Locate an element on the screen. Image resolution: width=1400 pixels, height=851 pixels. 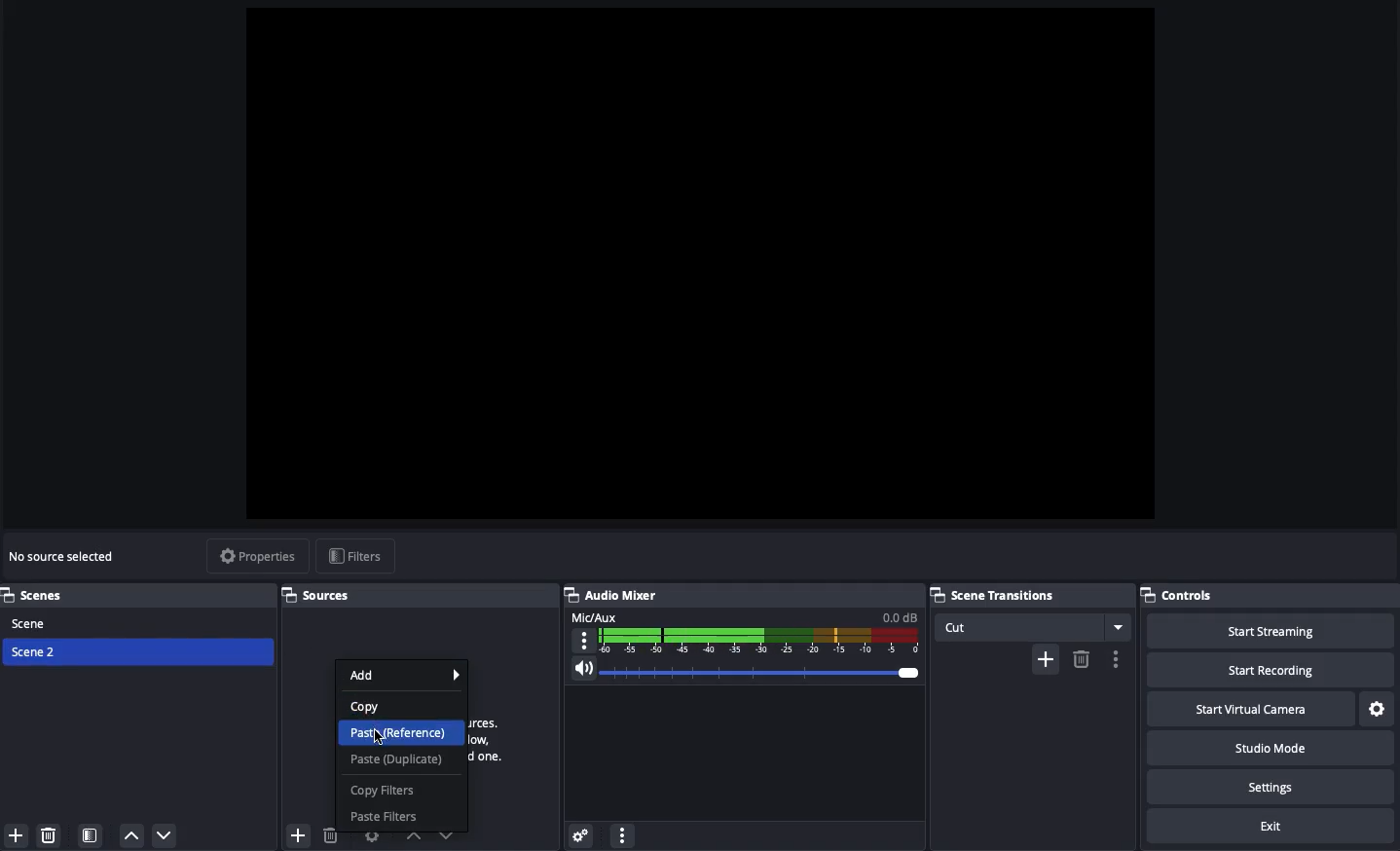
previous is located at coordinates (415, 841).